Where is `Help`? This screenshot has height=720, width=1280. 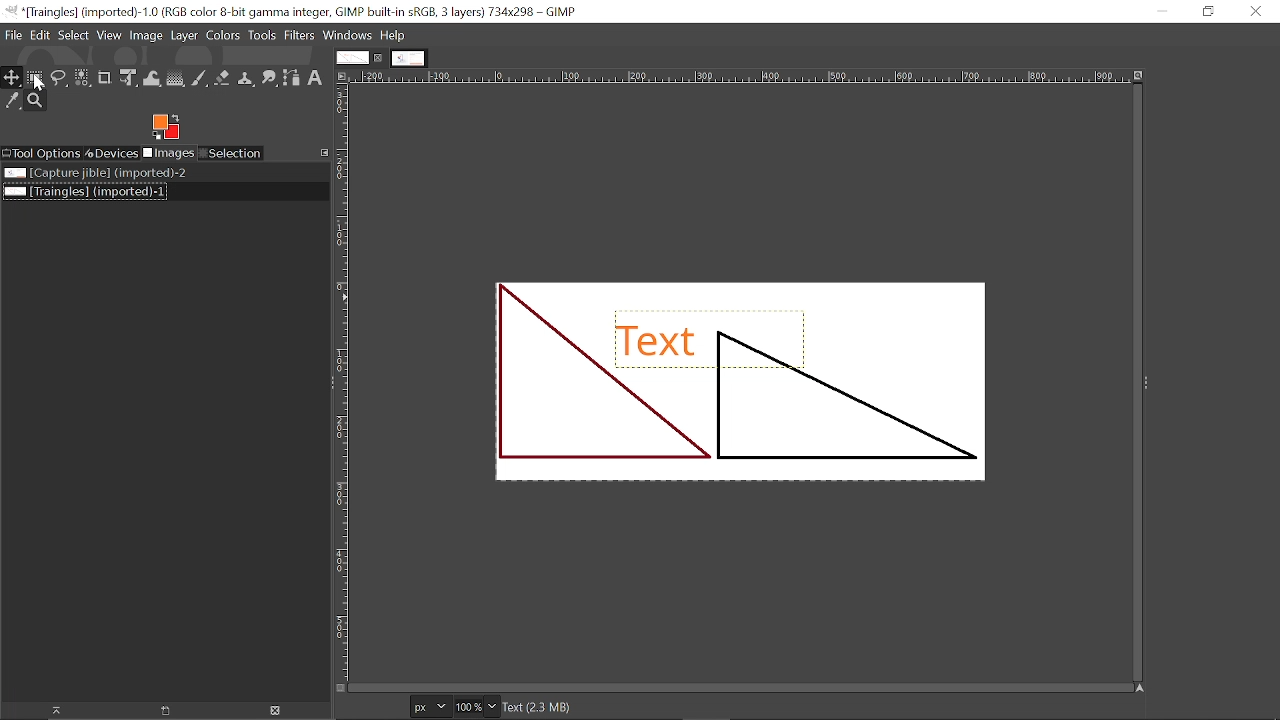 Help is located at coordinates (393, 35).